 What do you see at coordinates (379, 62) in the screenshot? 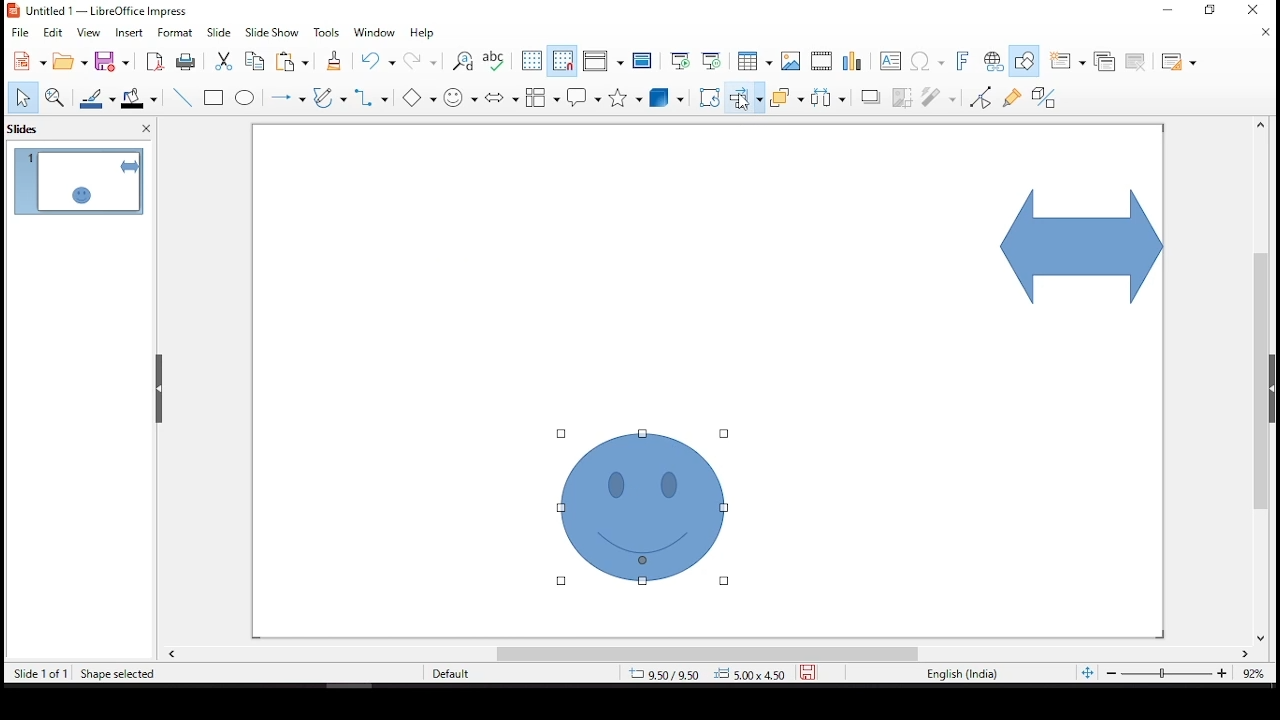
I see `undo` at bounding box center [379, 62].